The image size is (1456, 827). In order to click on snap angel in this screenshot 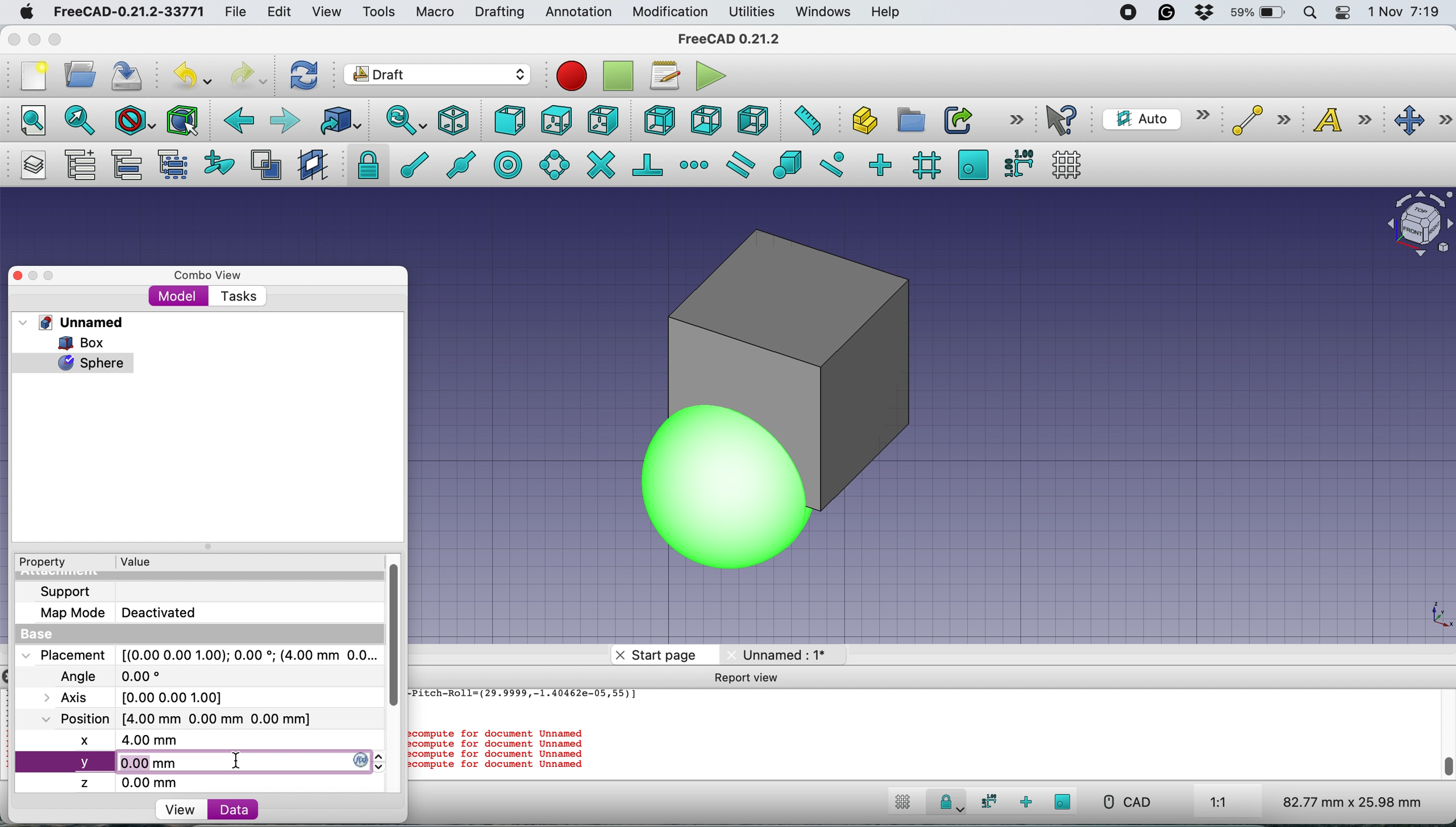, I will do `click(551, 164)`.